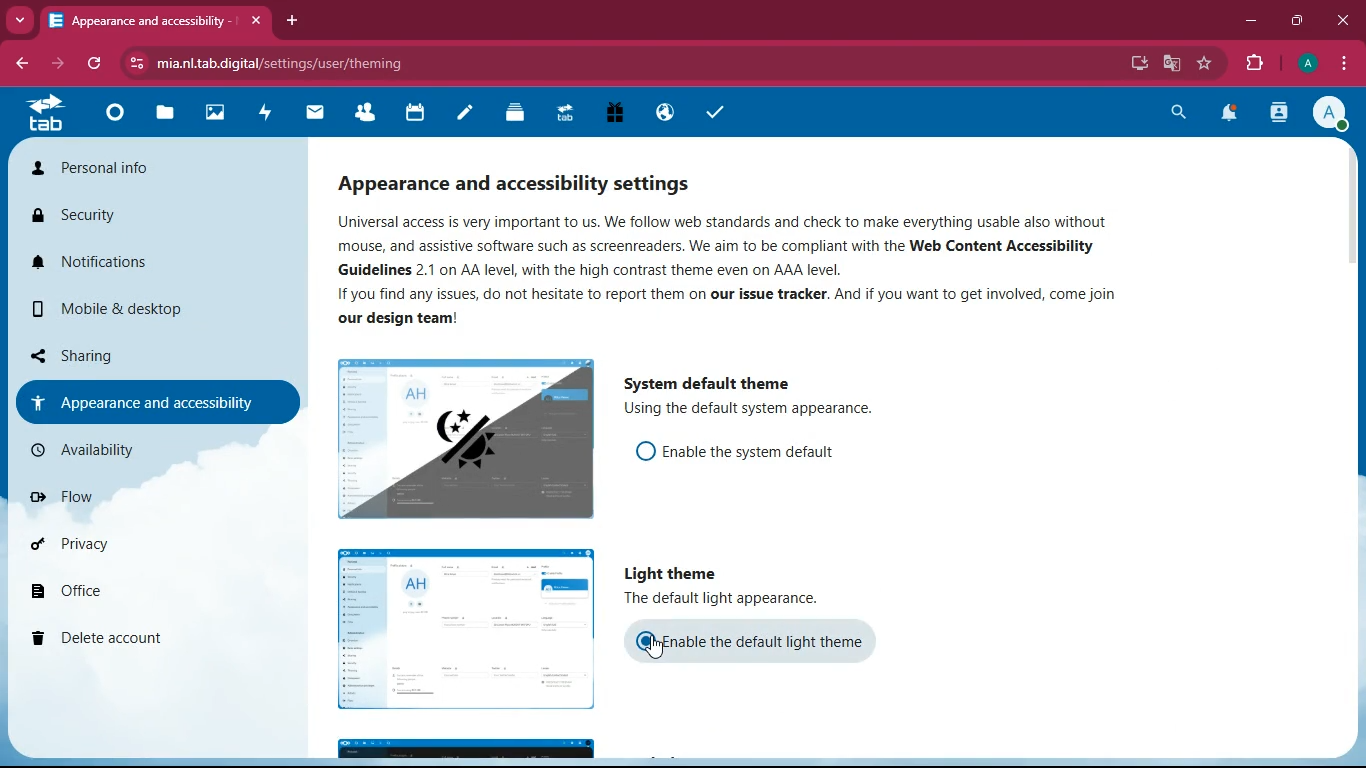 This screenshot has width=1366, height=768. Describe the element at coordinates (655, 648) in the screenshot. I see `pointing cursor` at that location.